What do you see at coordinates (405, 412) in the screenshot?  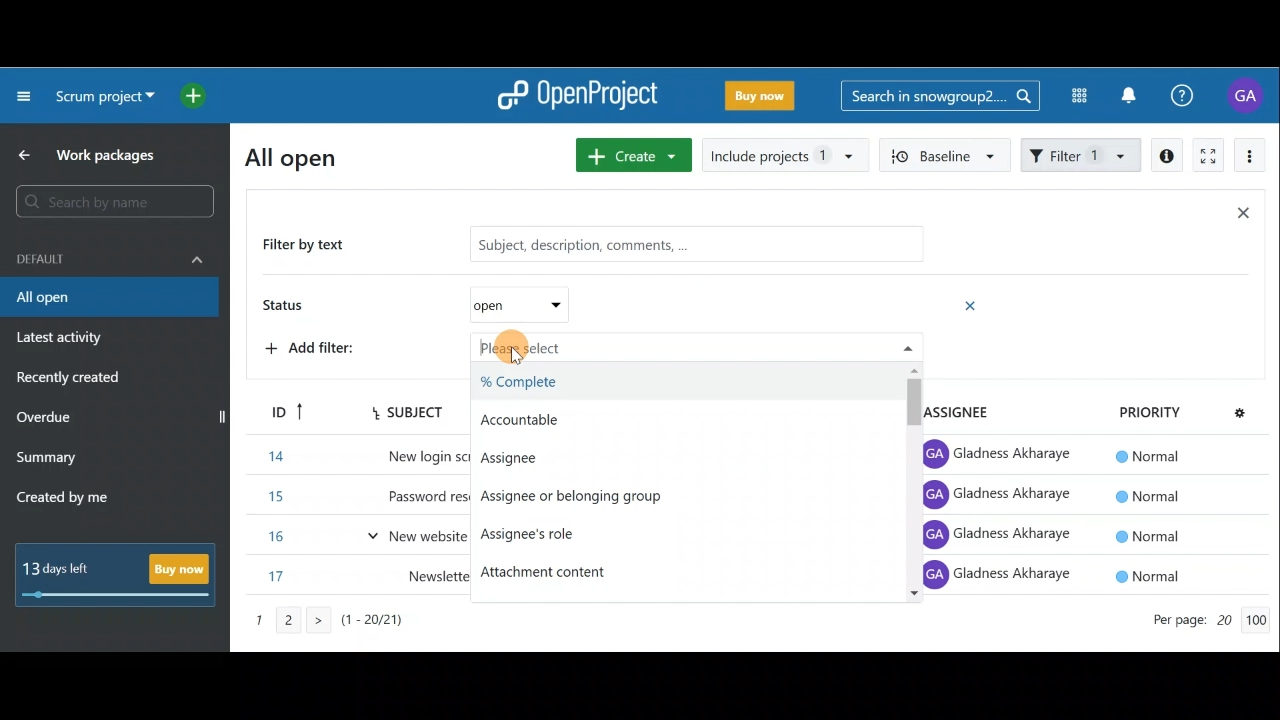 I see `Subject` at bounding box center [405, 412].